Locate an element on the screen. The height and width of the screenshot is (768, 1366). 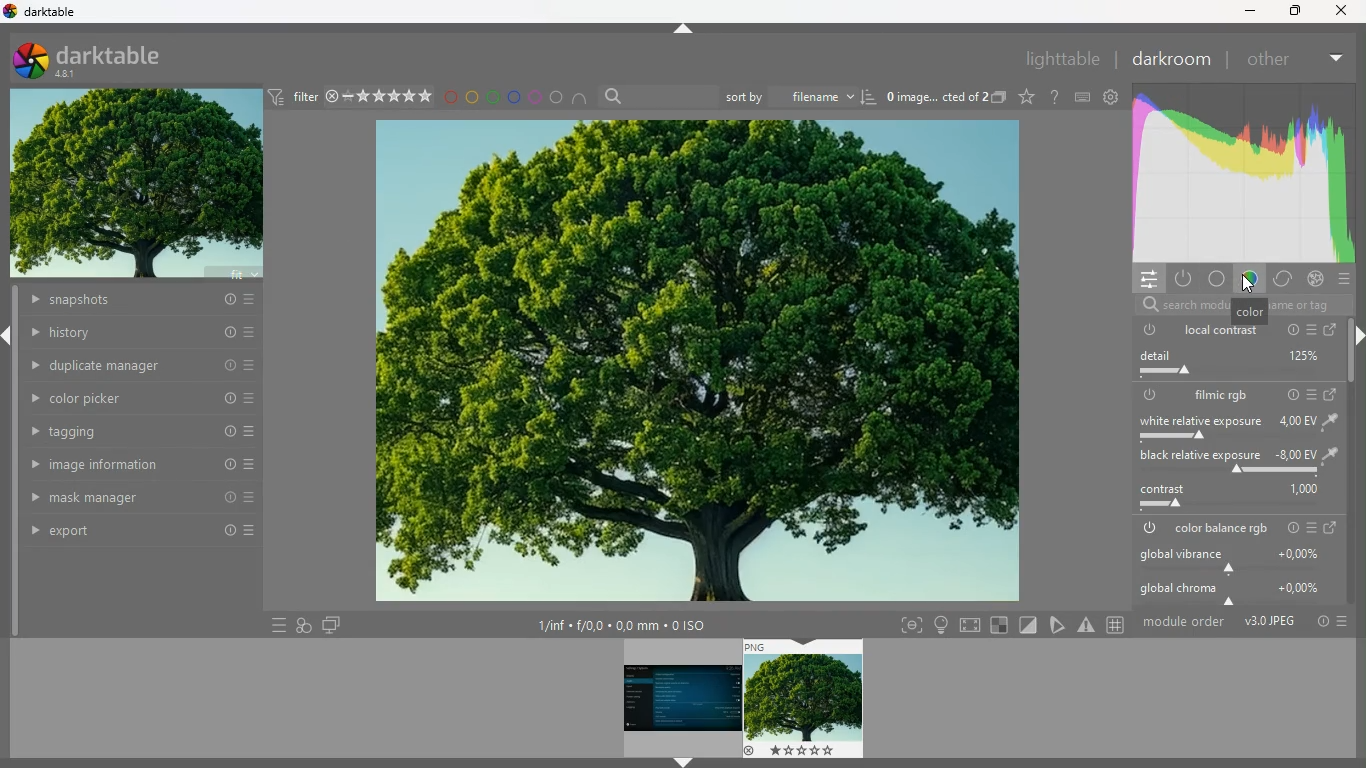
image is located at coordinates (137, 186).